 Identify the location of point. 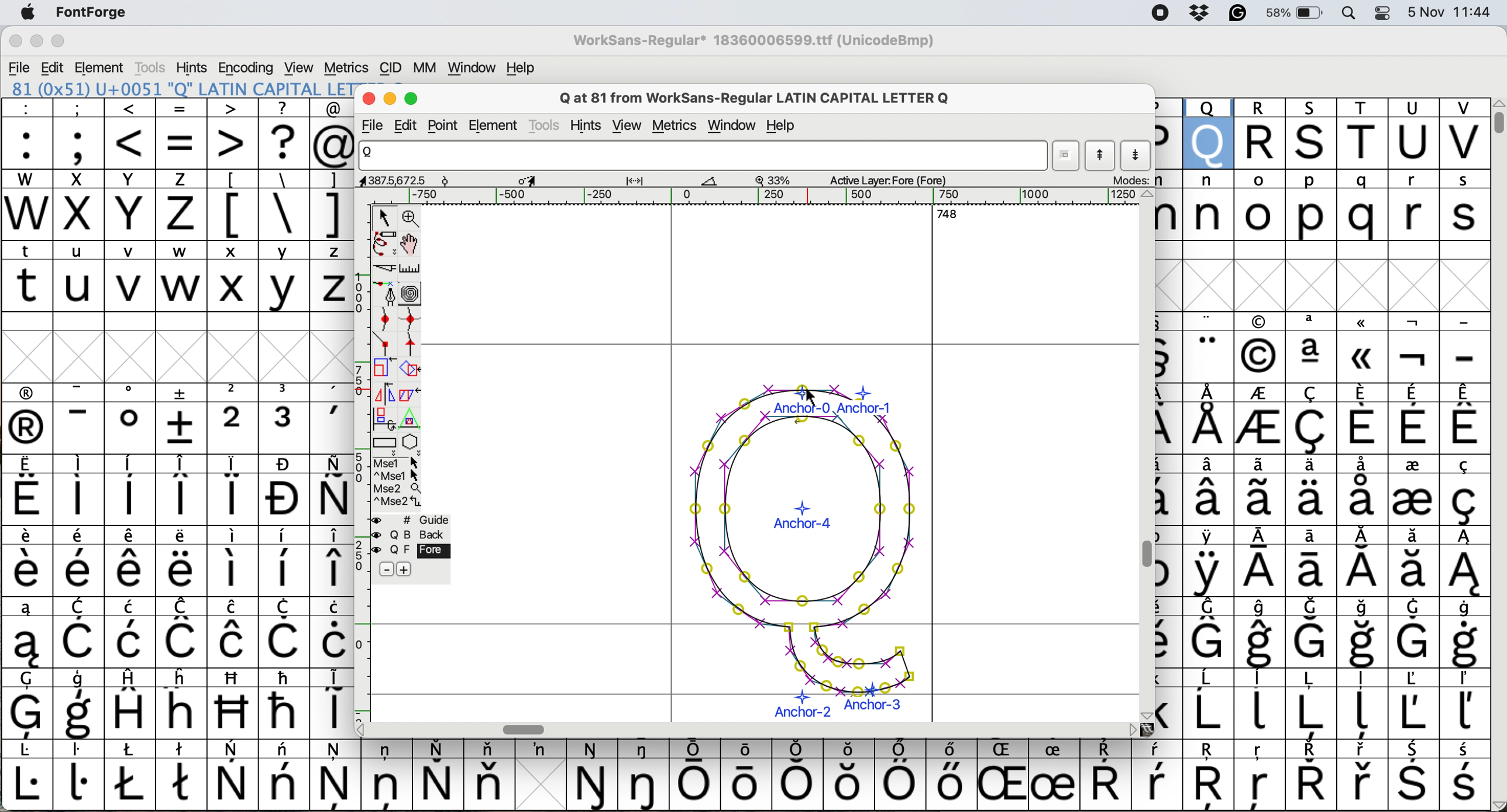
(446, 125).